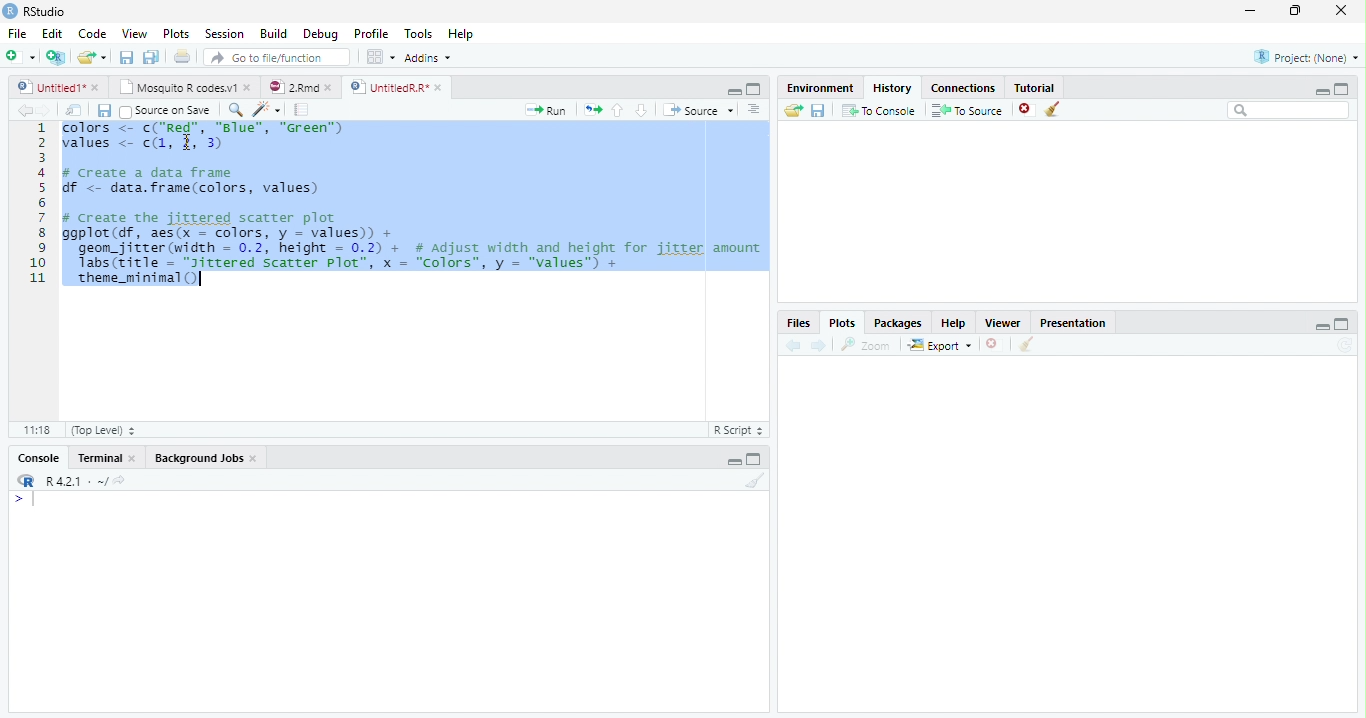 This screenshot has height=718, width=1366. I want to click on Project: (None), so click(1306, 57).